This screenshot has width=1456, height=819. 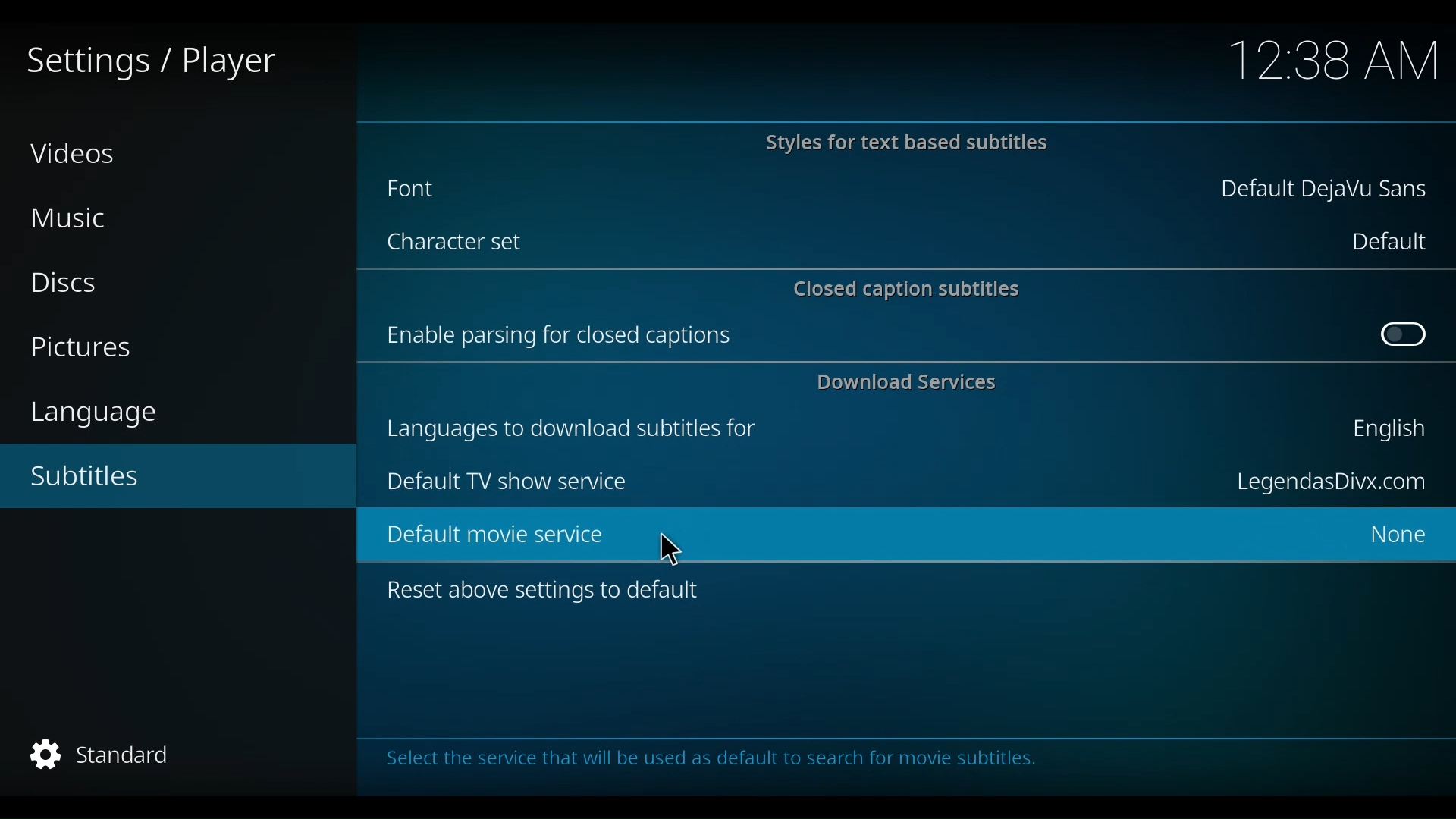 I want to click on Character set, so click(x=460, y=244).